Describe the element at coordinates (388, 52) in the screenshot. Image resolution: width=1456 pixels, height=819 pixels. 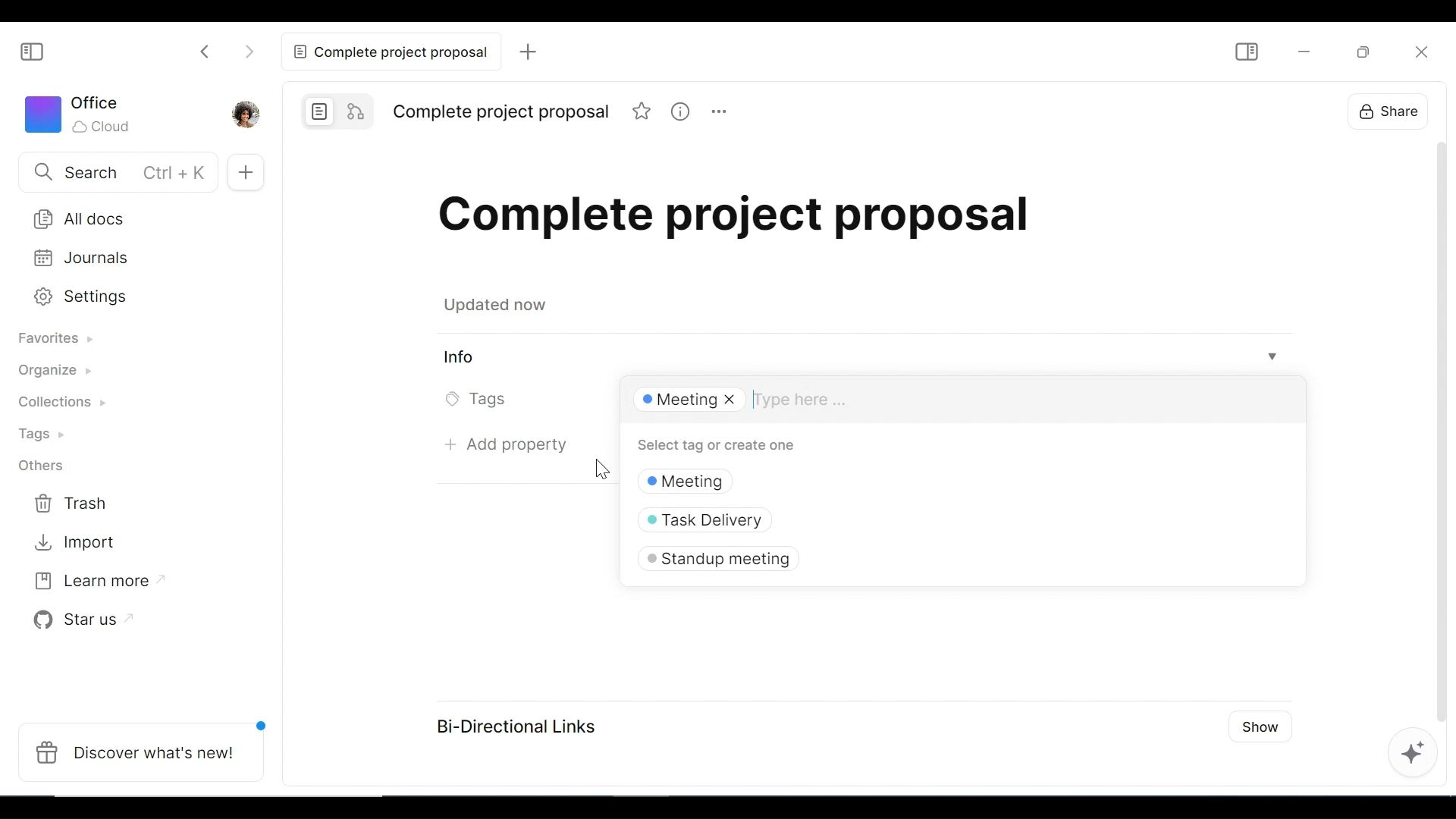
I see `Current tab` at that location.